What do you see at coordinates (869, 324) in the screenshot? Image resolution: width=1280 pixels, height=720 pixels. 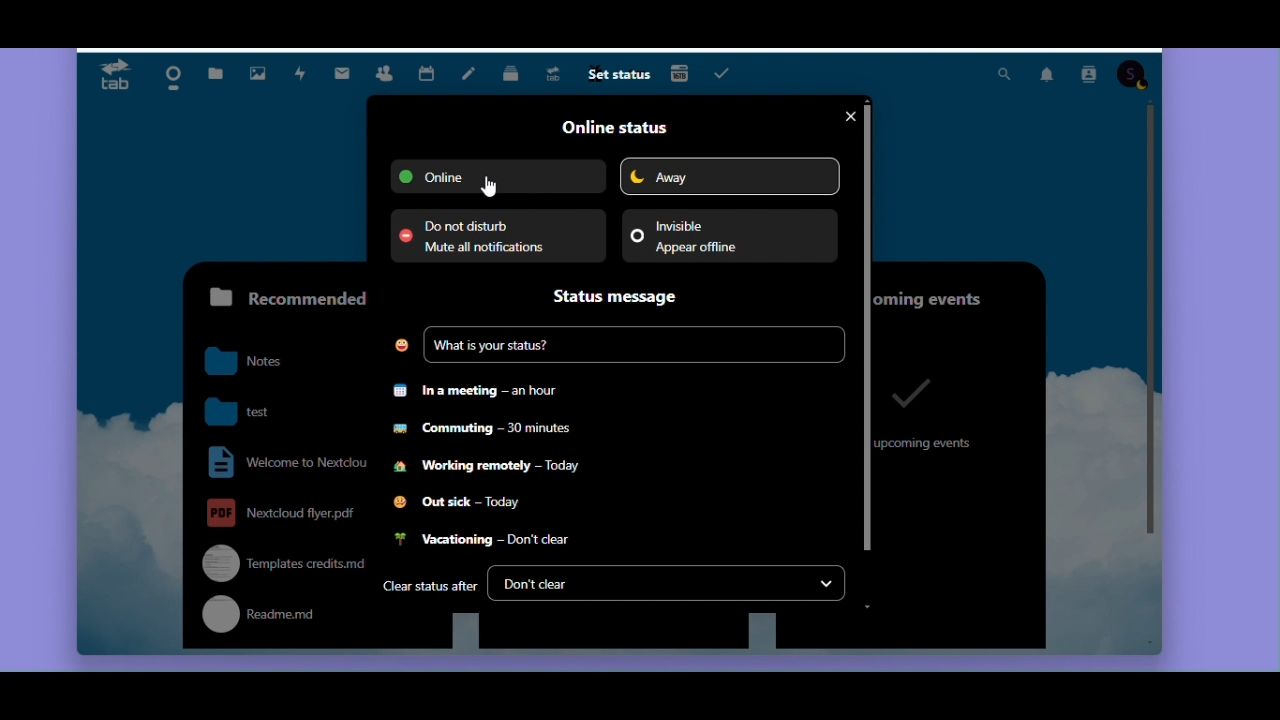 I see `Vertical scrollbar` at bounding box center [869, 324].